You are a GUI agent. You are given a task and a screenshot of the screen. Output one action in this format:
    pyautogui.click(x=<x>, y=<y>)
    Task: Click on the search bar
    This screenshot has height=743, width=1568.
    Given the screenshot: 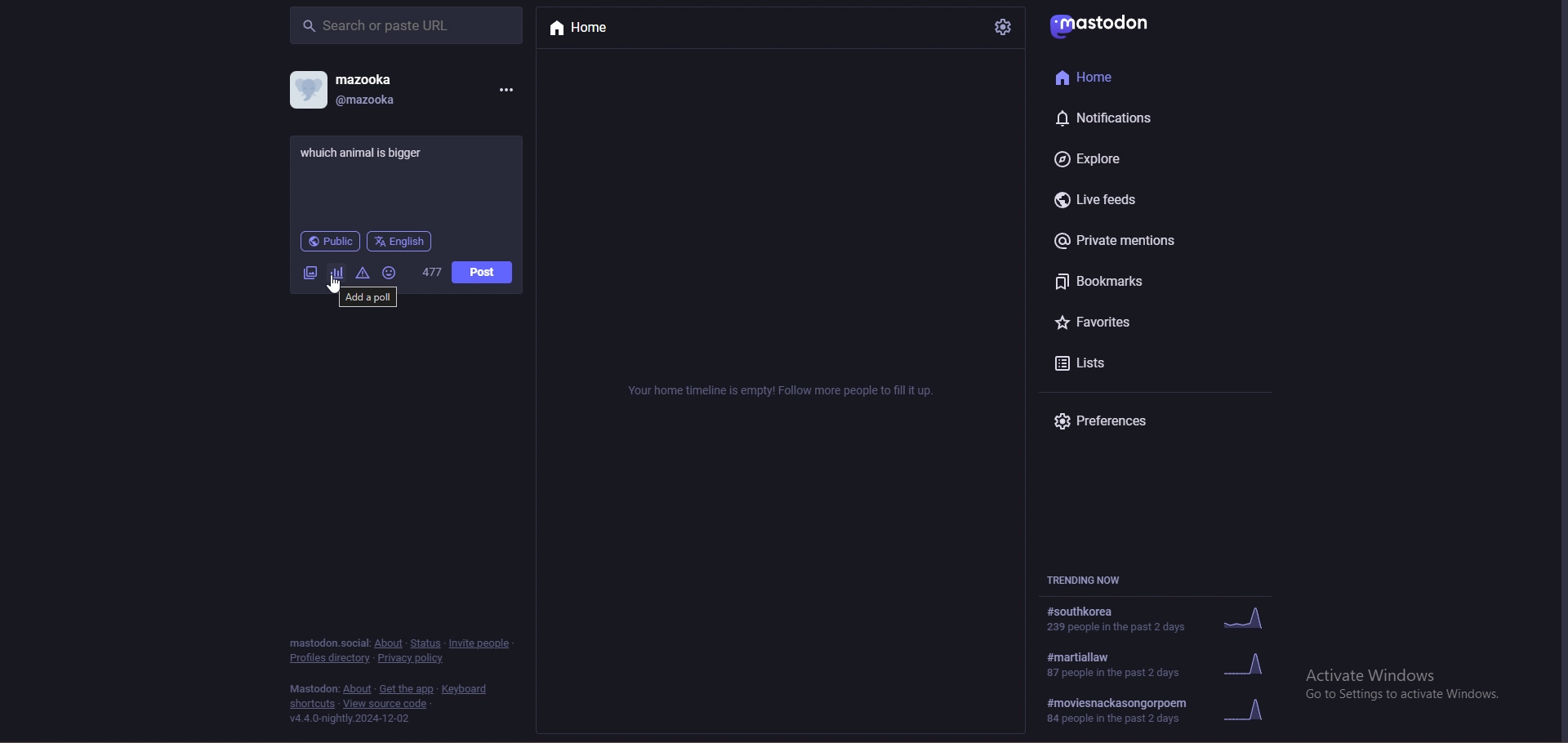 What is the action you would take?
    pyautogui.click(x=406, y=24)
    